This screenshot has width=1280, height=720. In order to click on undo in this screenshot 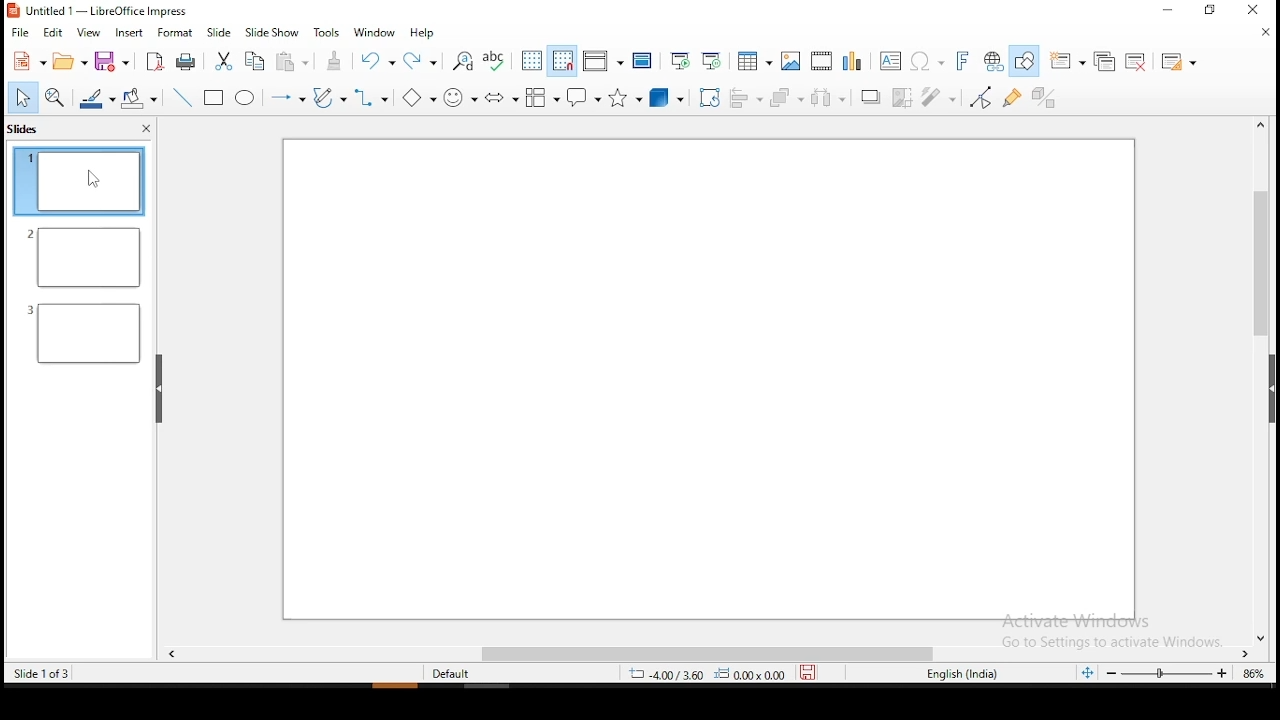, I will do `click(378, 63)`.